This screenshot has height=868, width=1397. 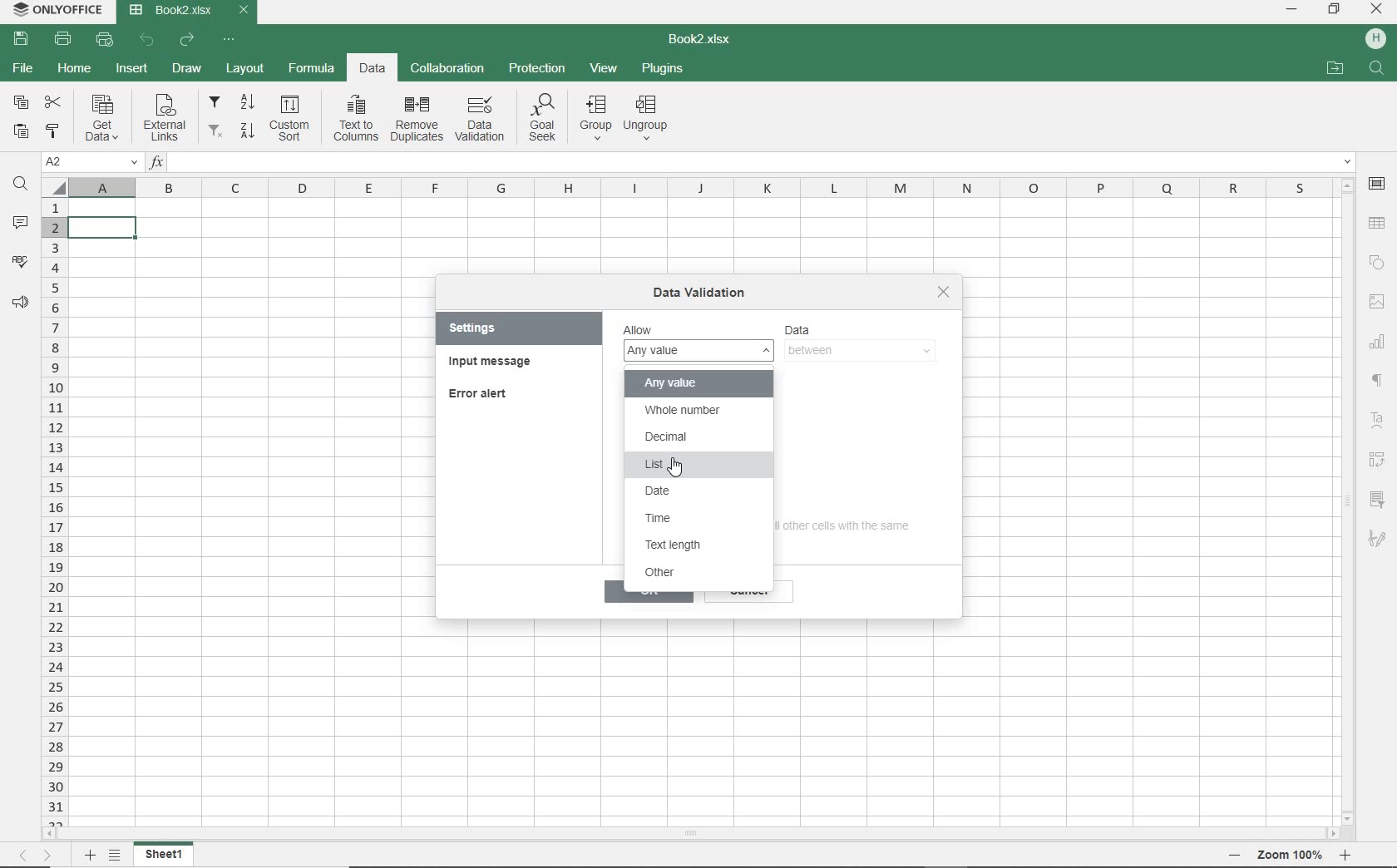 What do you see at coordinates (245, 68) in the screenshot?
I see `LAYOUT` at bounding box center [245, 68].